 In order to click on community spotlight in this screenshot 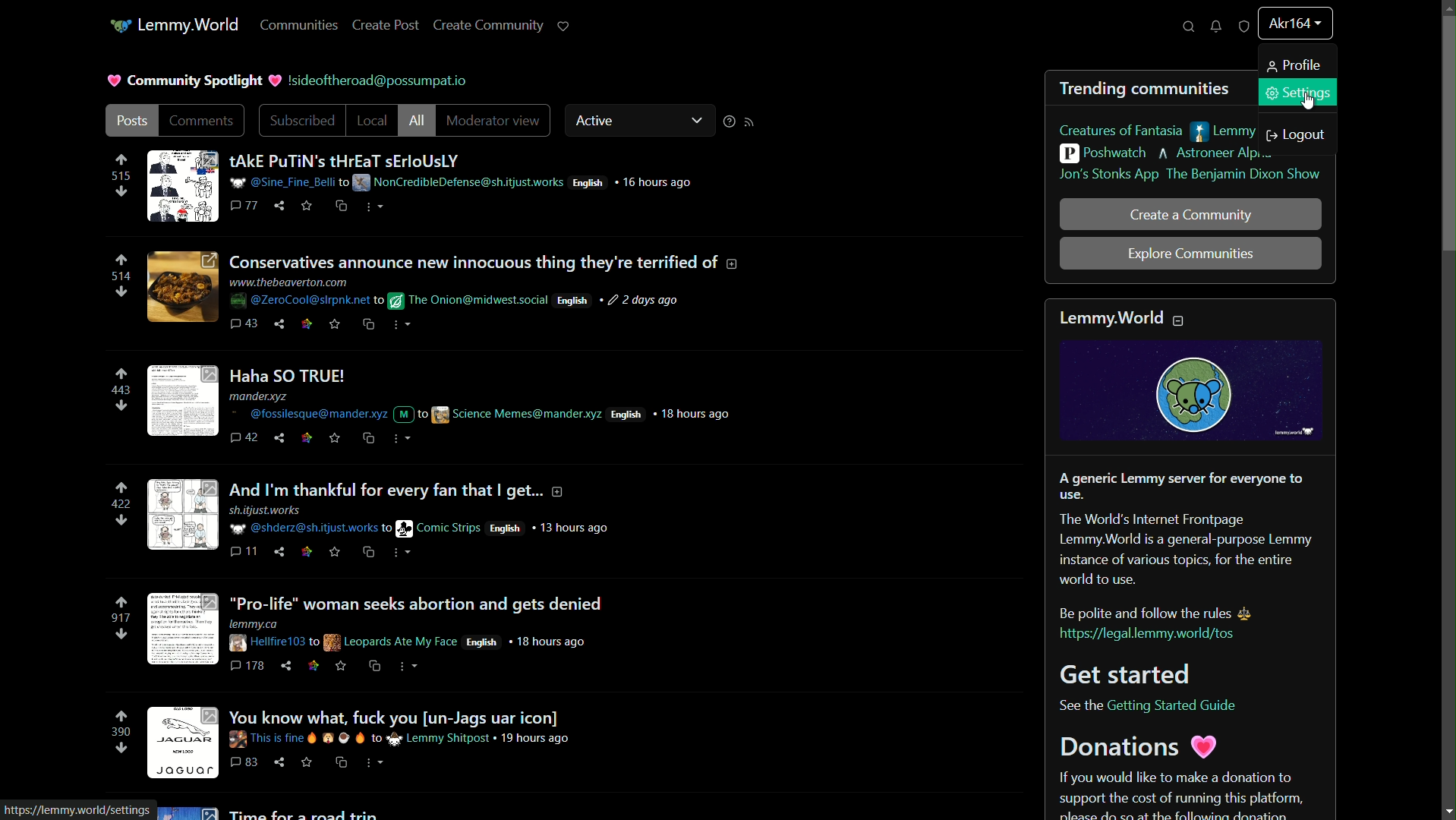, I will do `click(196, 79)`.